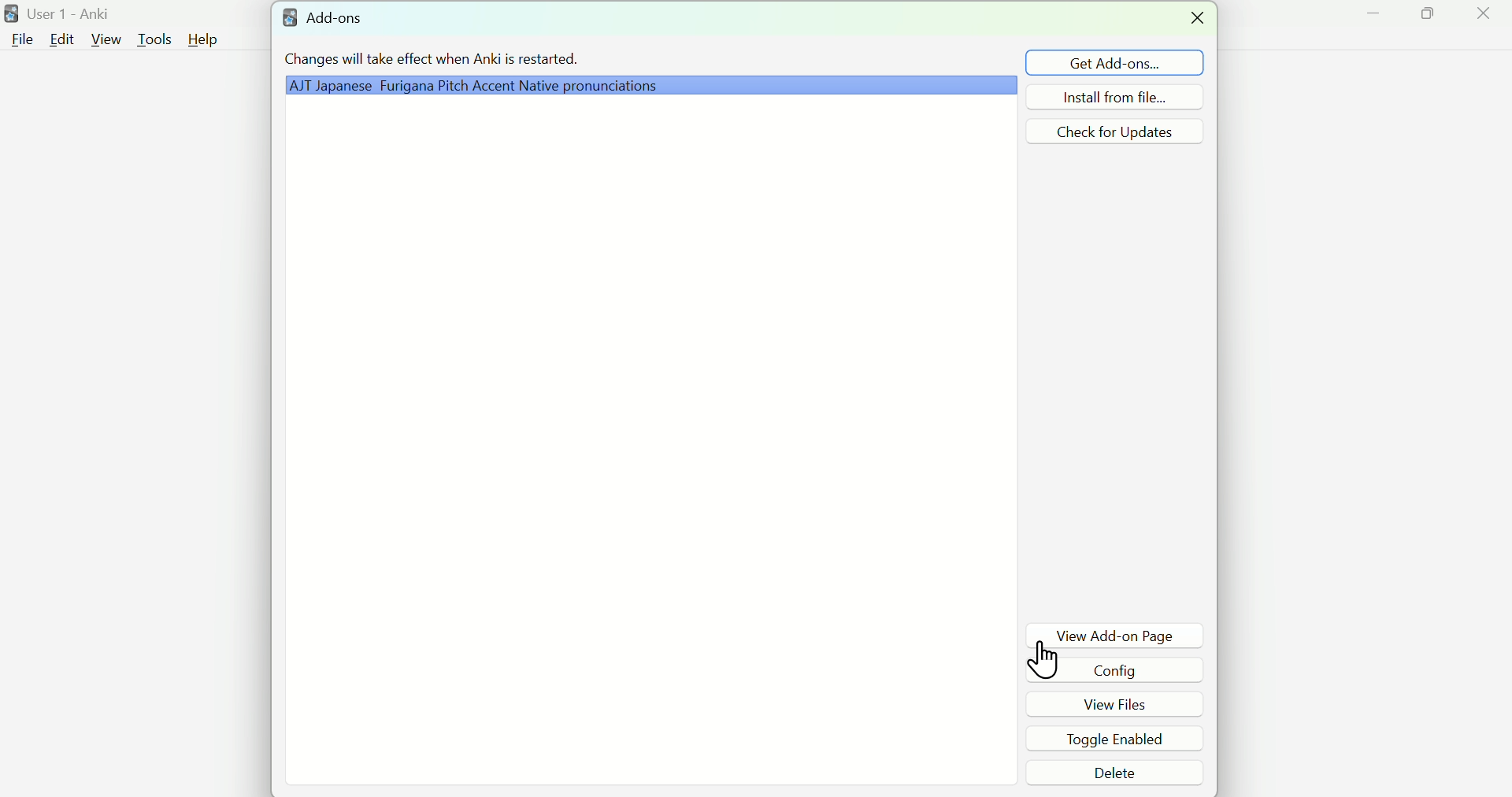  What do you see at coordinates (1118, 132) in the screenshot?
I see `Check for Updates` at bounding box center [1118, 132].